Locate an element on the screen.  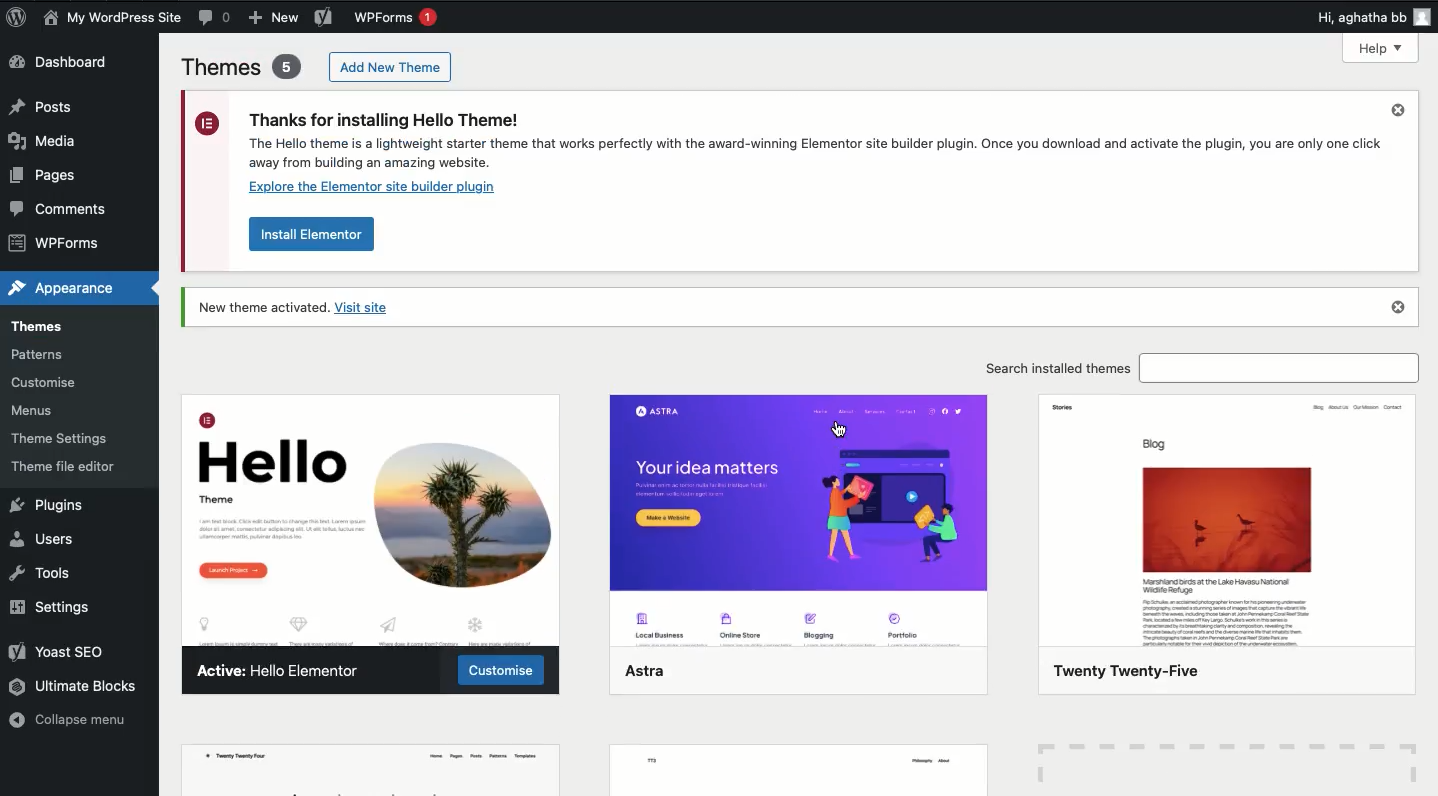
Help is located at coordinates (1380, 49).